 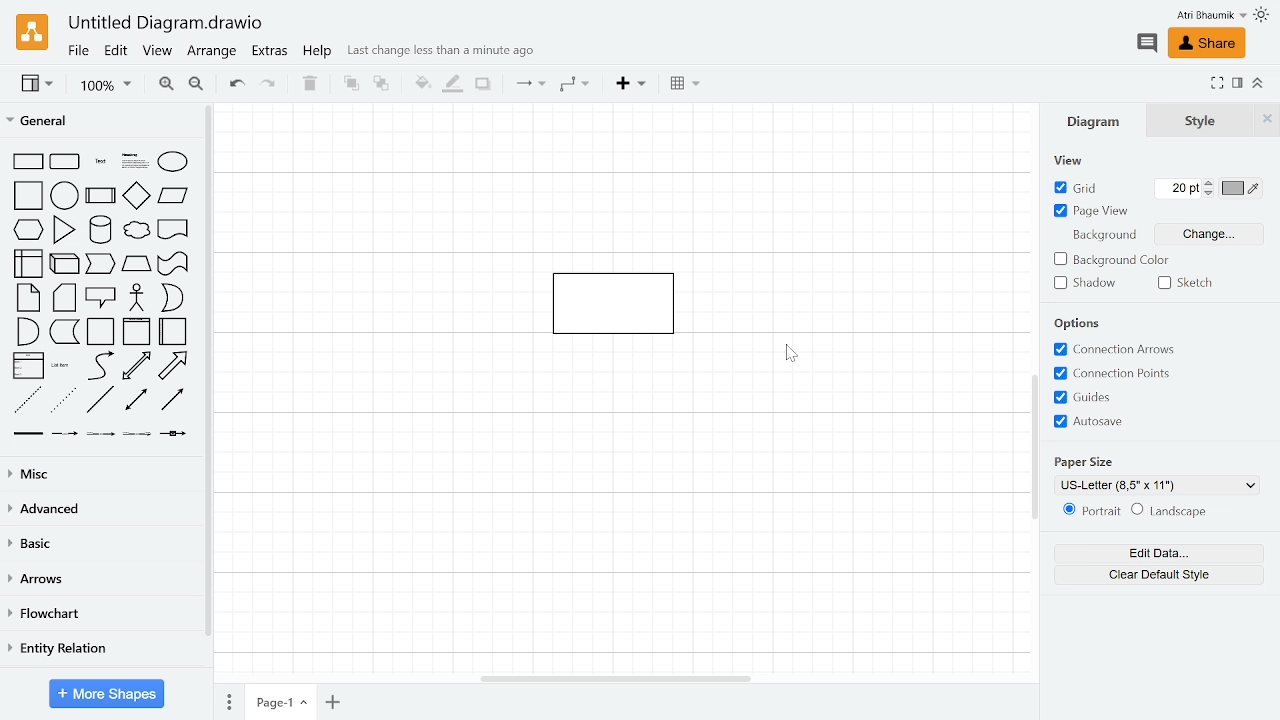 I want to click on Zoom out, so click(x=198, y=85).